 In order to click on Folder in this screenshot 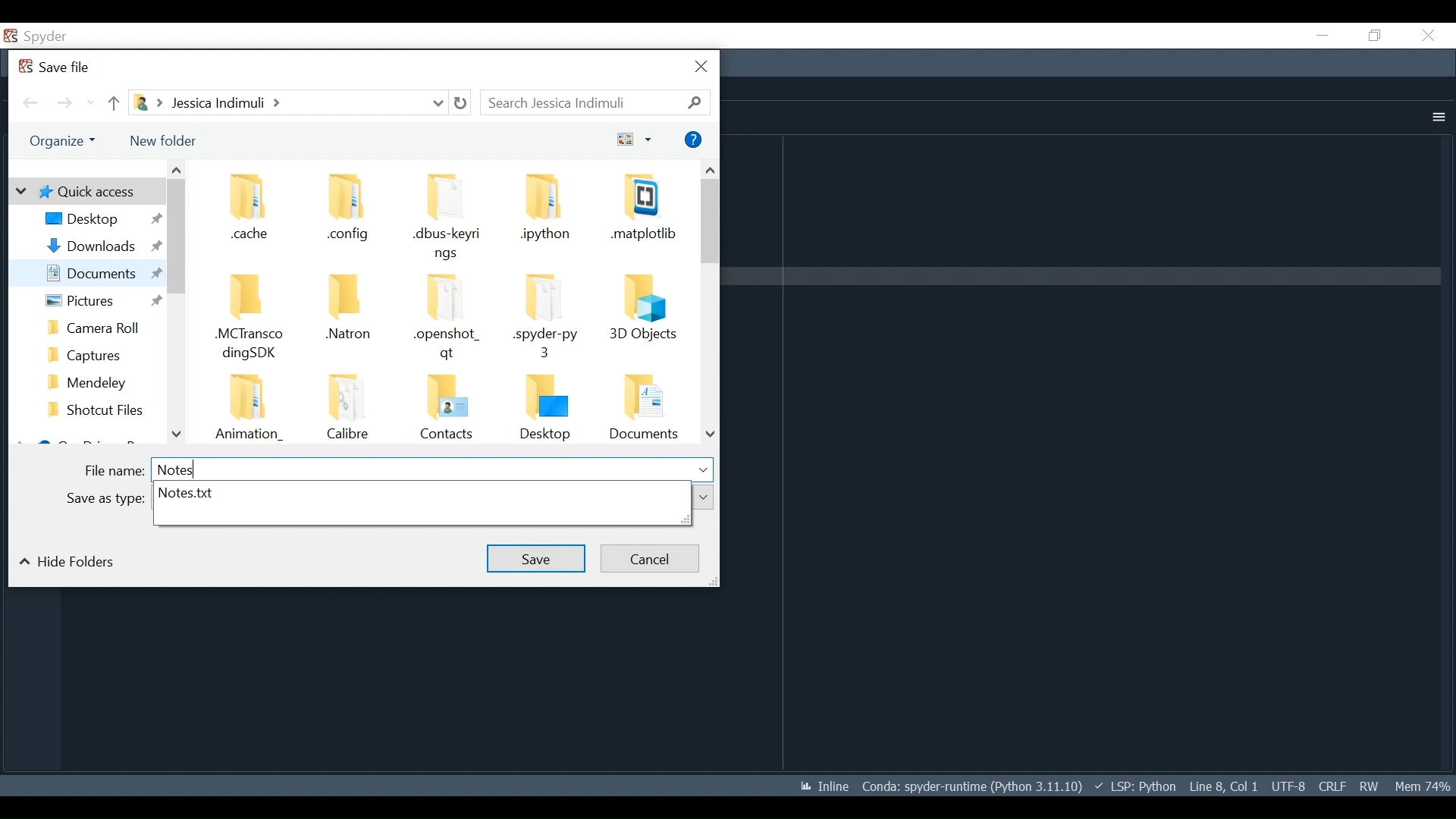, I will do `click(95, 381)`.